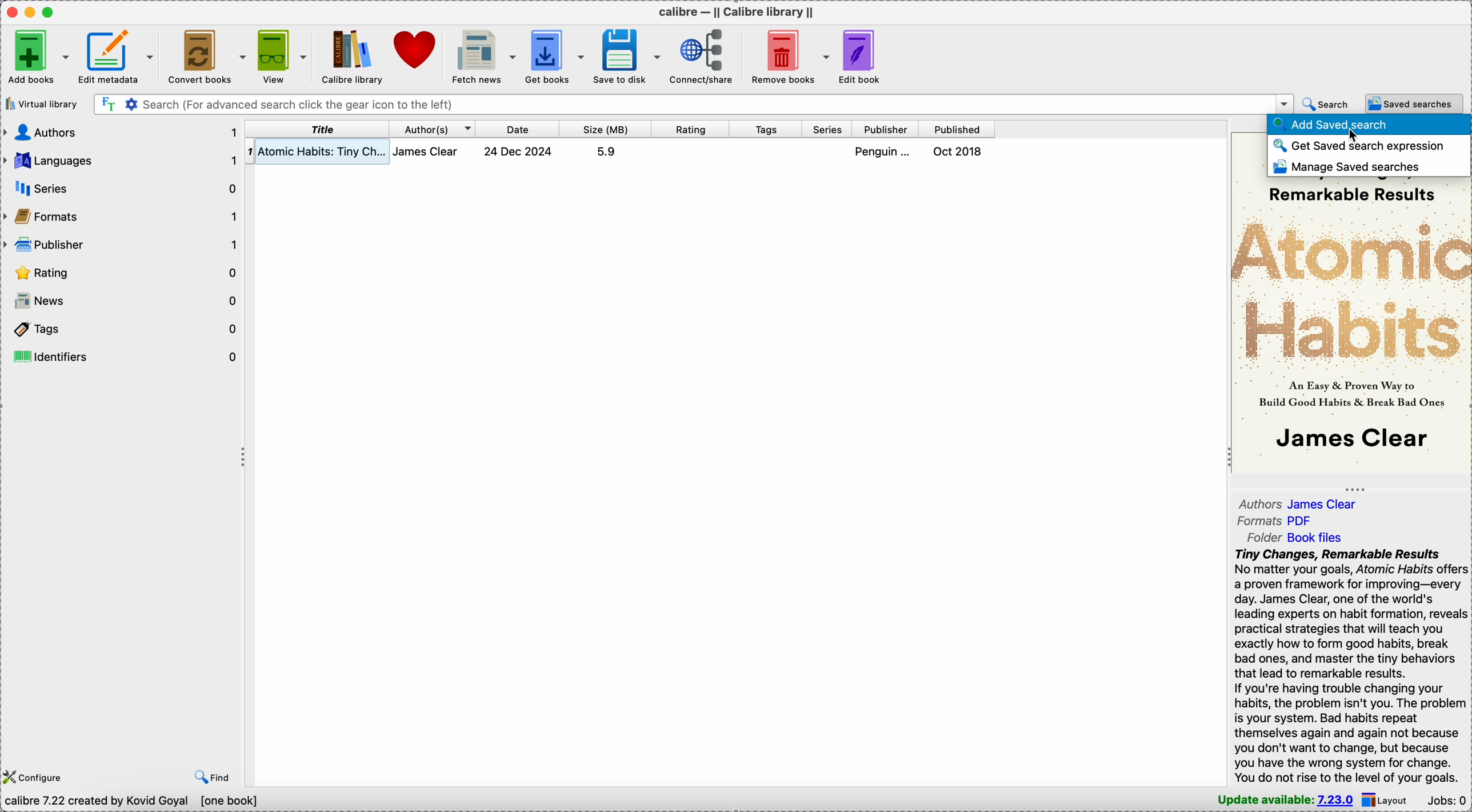 Image resolution: width=1472 pixels, height=812 pixels. What do you see at coordinates (1294, 538) in the screenshot?
I see `folder Book files` at bounding box center [1294, 538].